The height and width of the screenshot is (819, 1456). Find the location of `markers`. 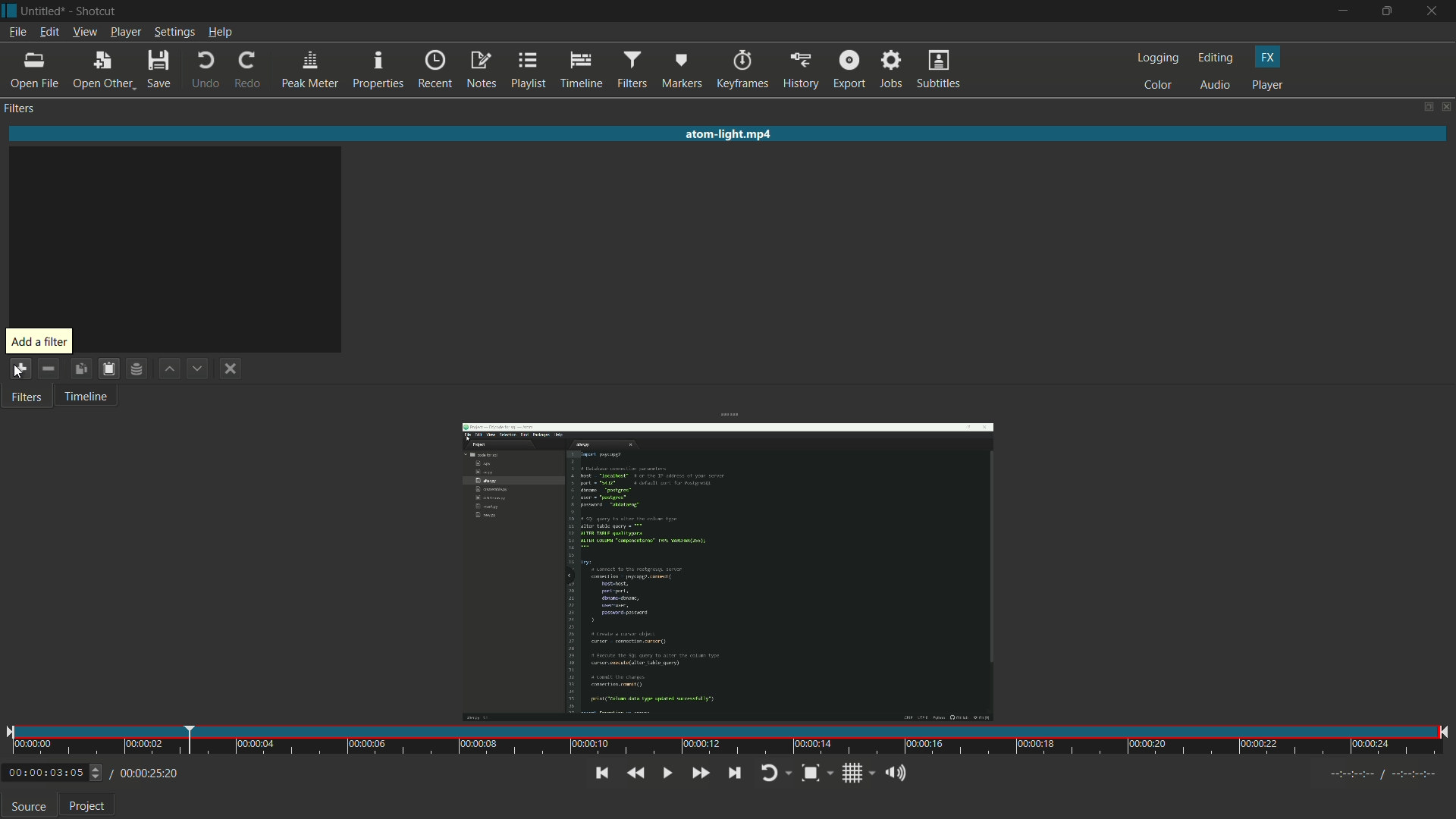

markers is located at coordinates (682, 70).